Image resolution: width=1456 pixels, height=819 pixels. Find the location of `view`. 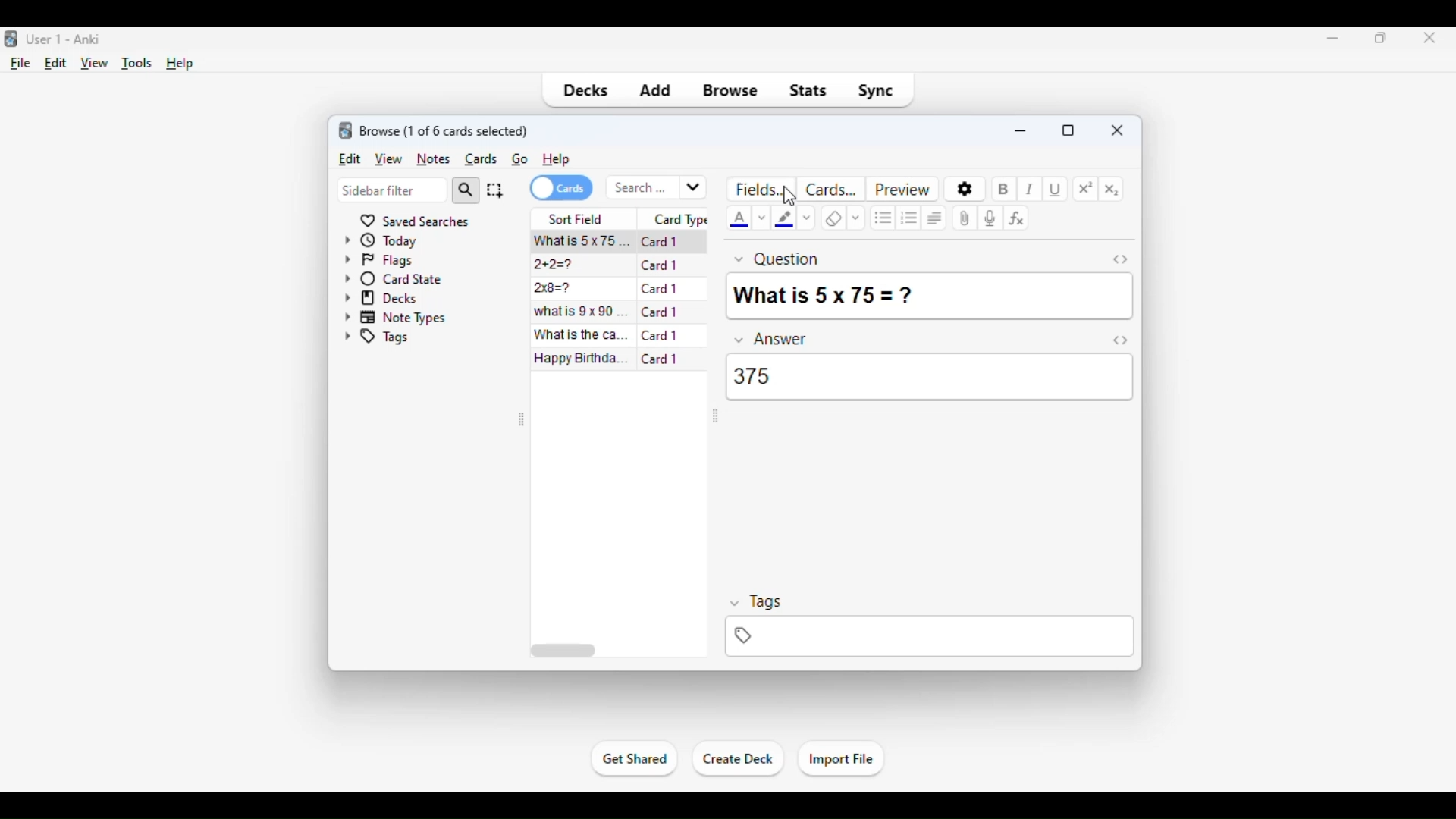

view is located at coordinates (388, 158).